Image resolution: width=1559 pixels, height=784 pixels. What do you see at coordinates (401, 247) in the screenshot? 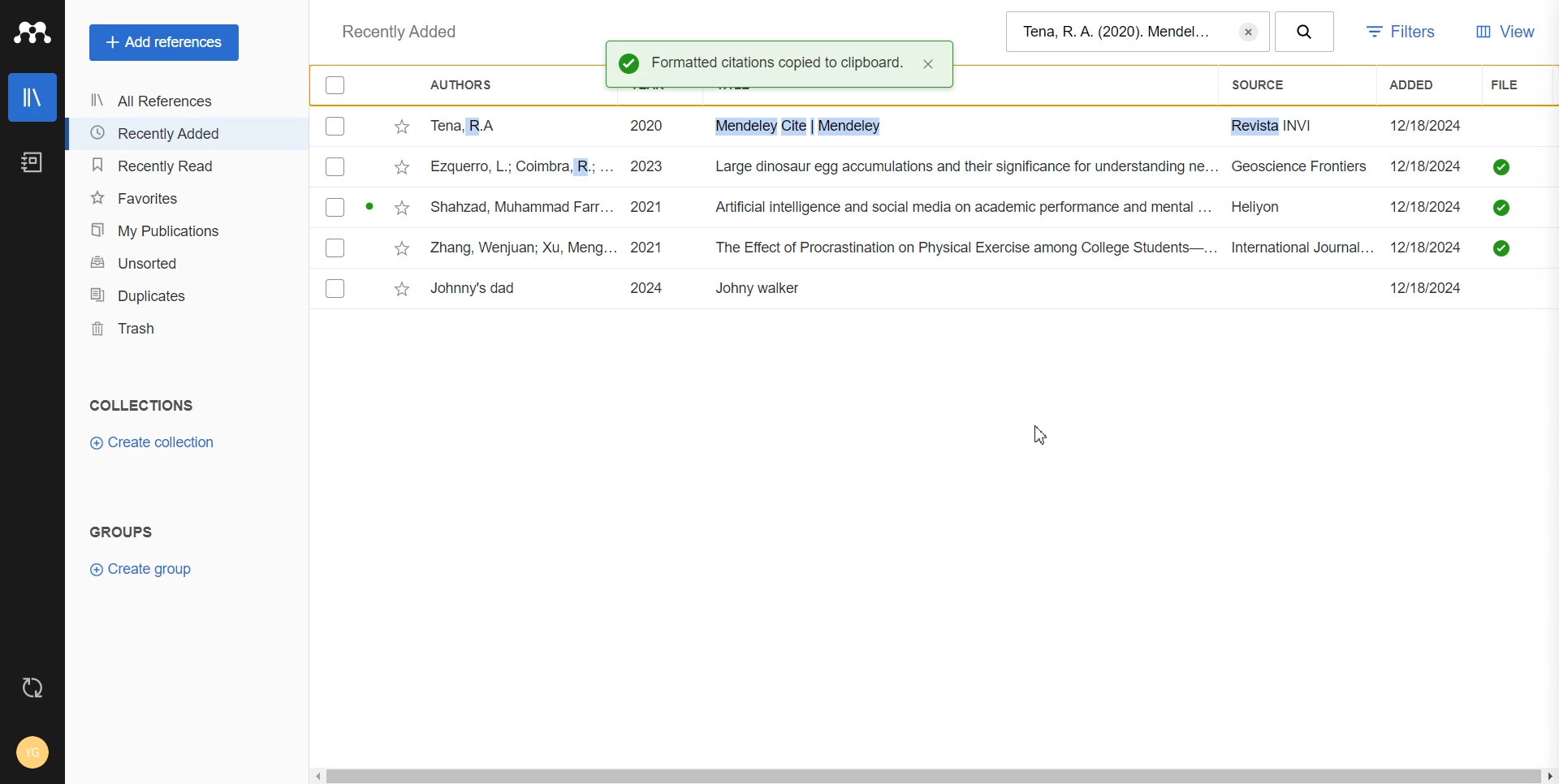
I see `Star` at bounding box center [401, 247].